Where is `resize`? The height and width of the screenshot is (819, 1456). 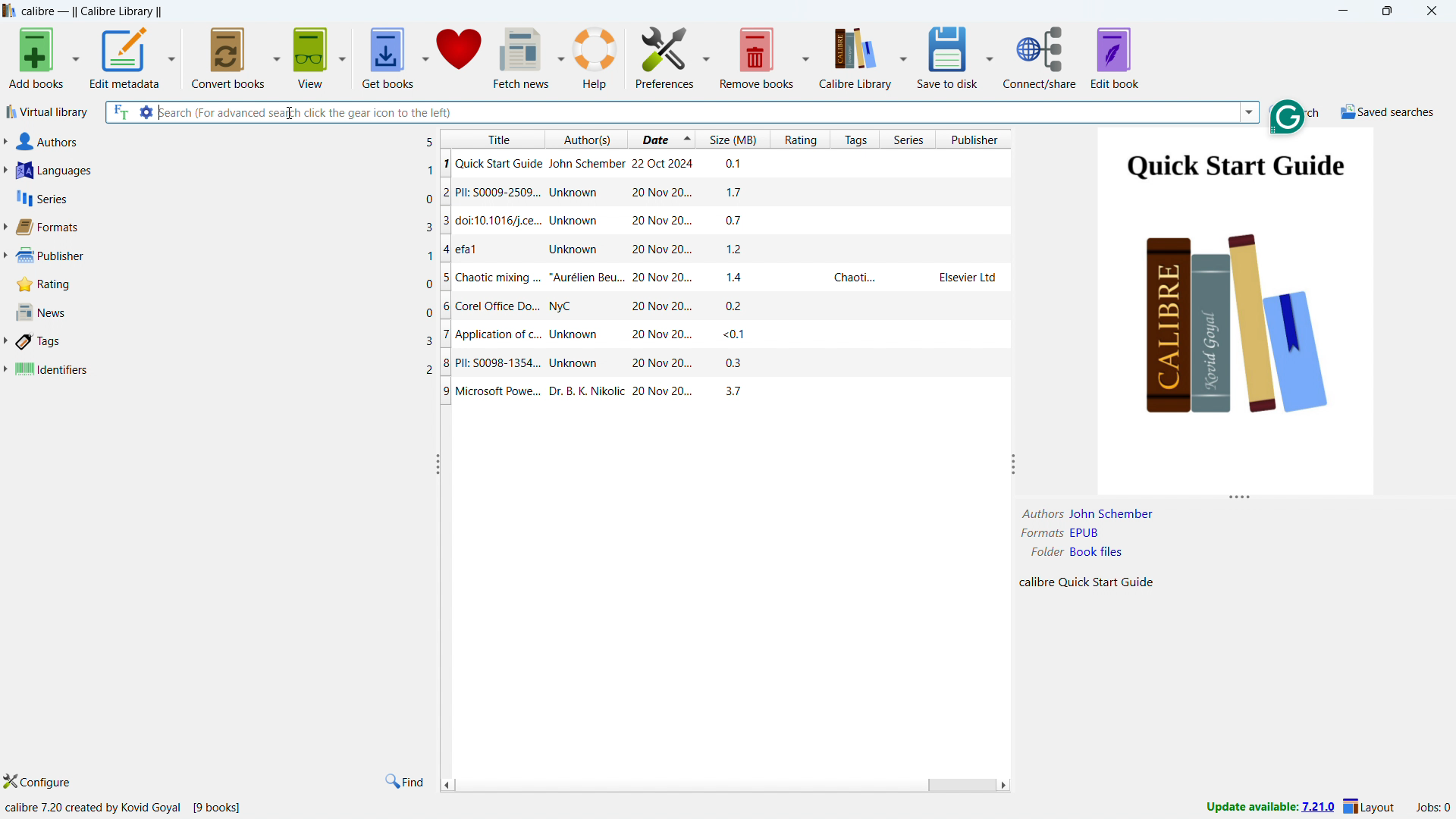
resize is located at coordinates (1241, 498).